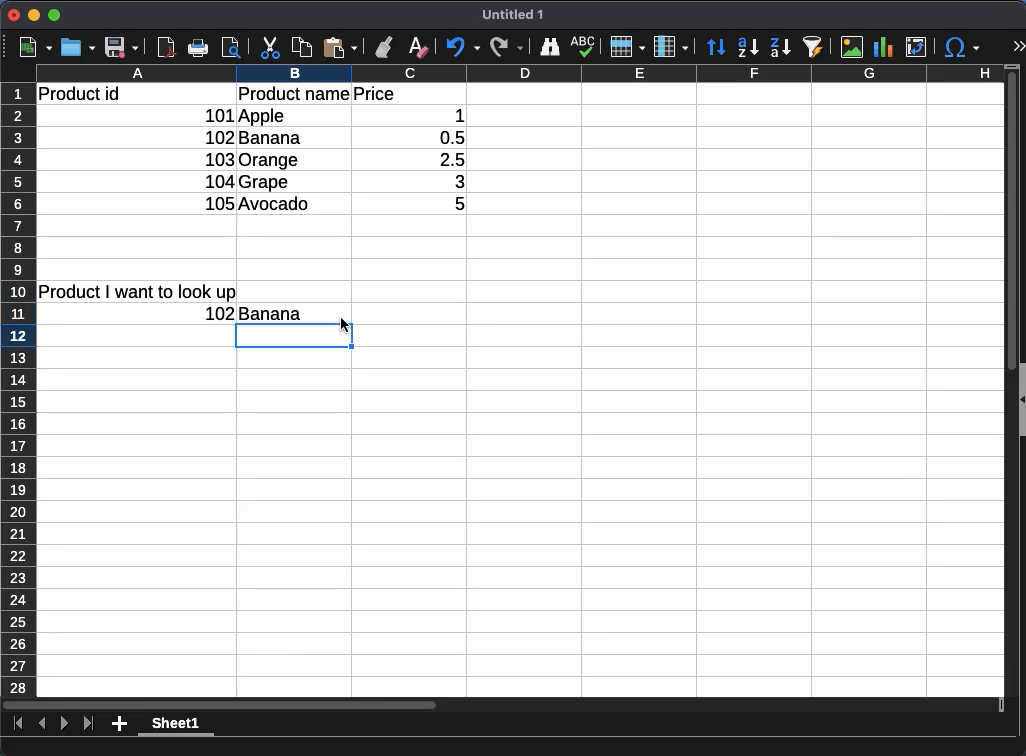 Image resolution: width=1026 pixels, height=756 pixels. I want to click on cursor, so click(344, 326).